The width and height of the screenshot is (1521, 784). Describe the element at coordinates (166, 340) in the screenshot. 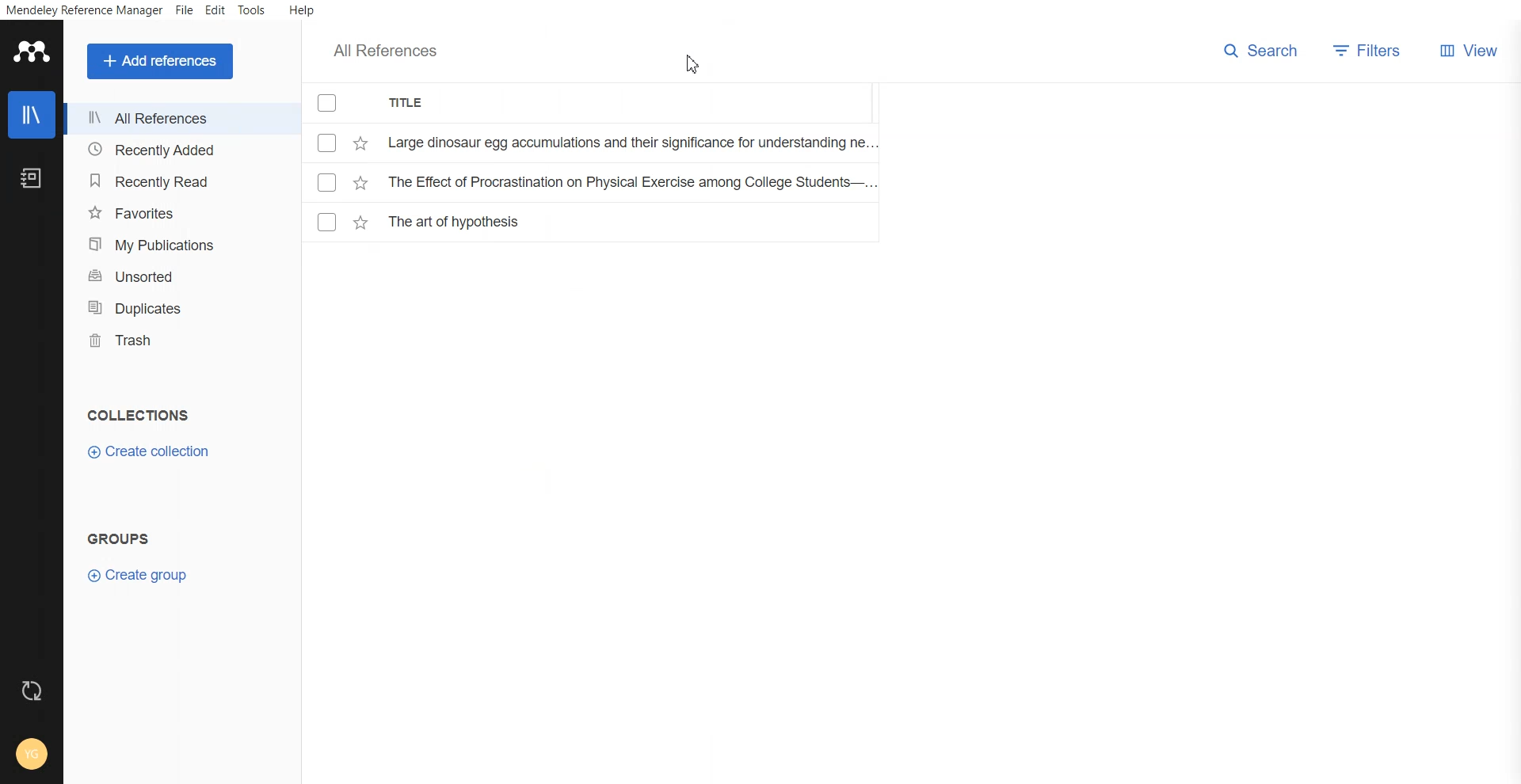

I see `Trash` at that location.